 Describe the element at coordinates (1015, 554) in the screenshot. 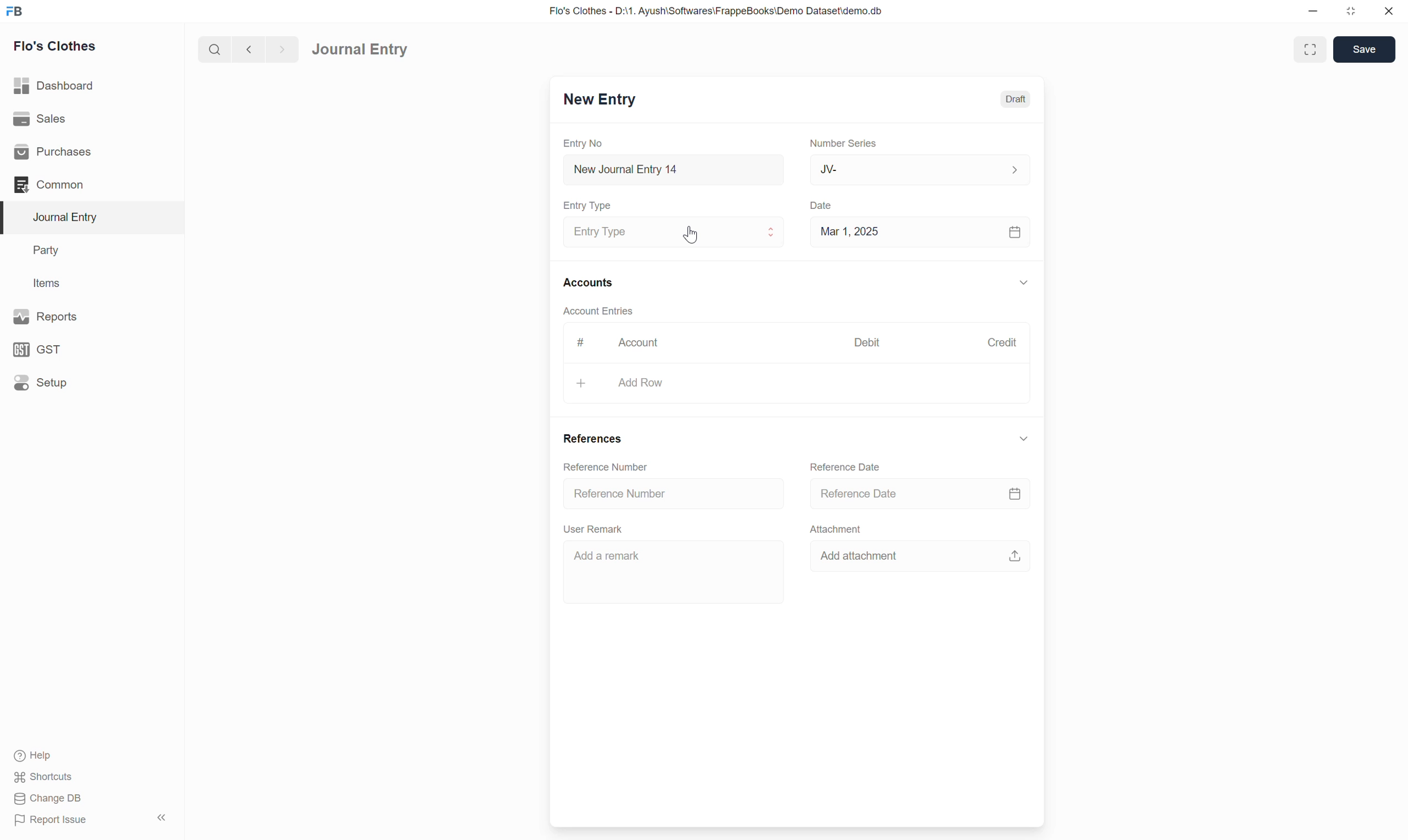

I see `upload` at that location.